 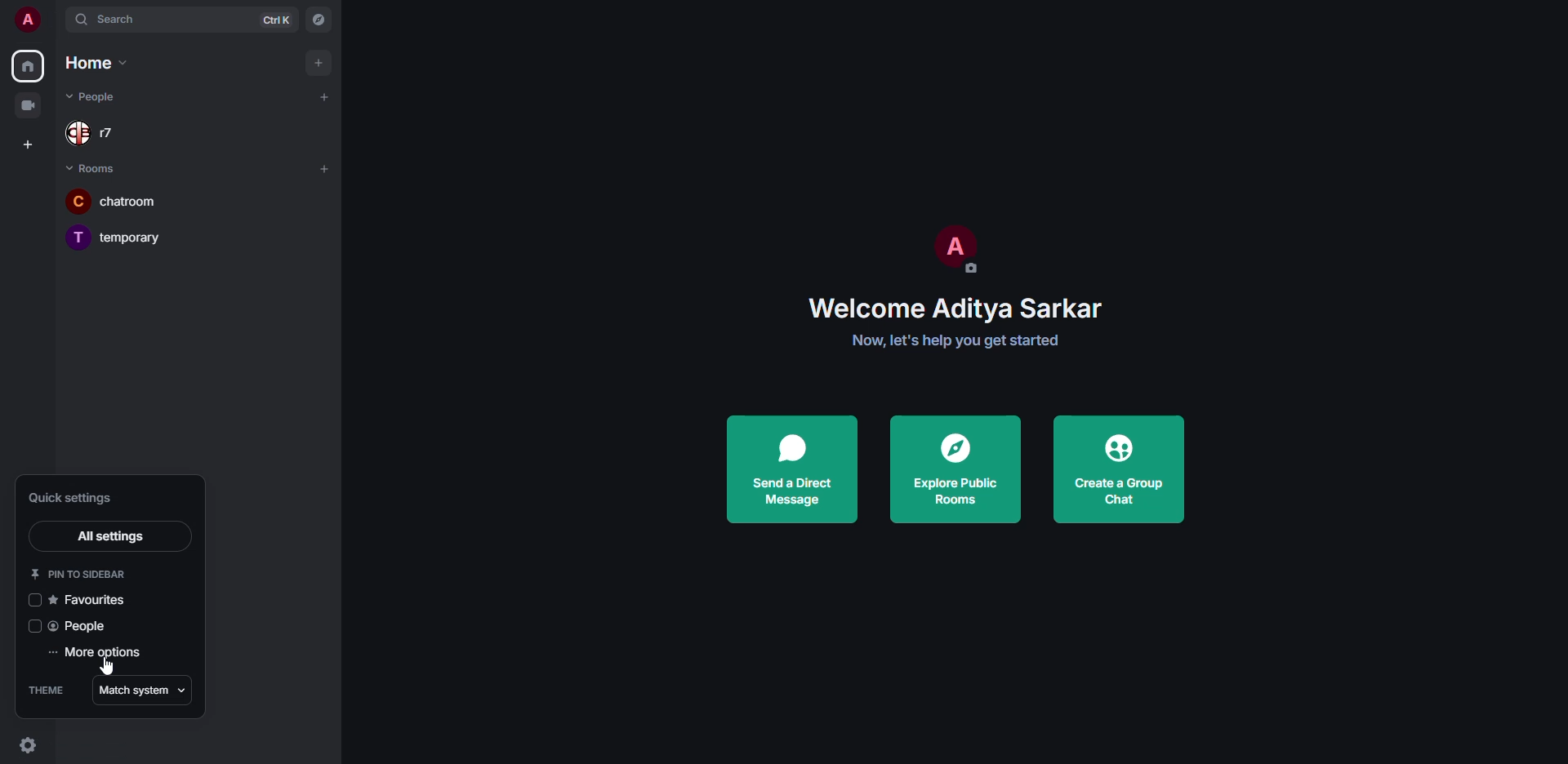 I want to click on explore public rooms, so click(x=957, y=470).